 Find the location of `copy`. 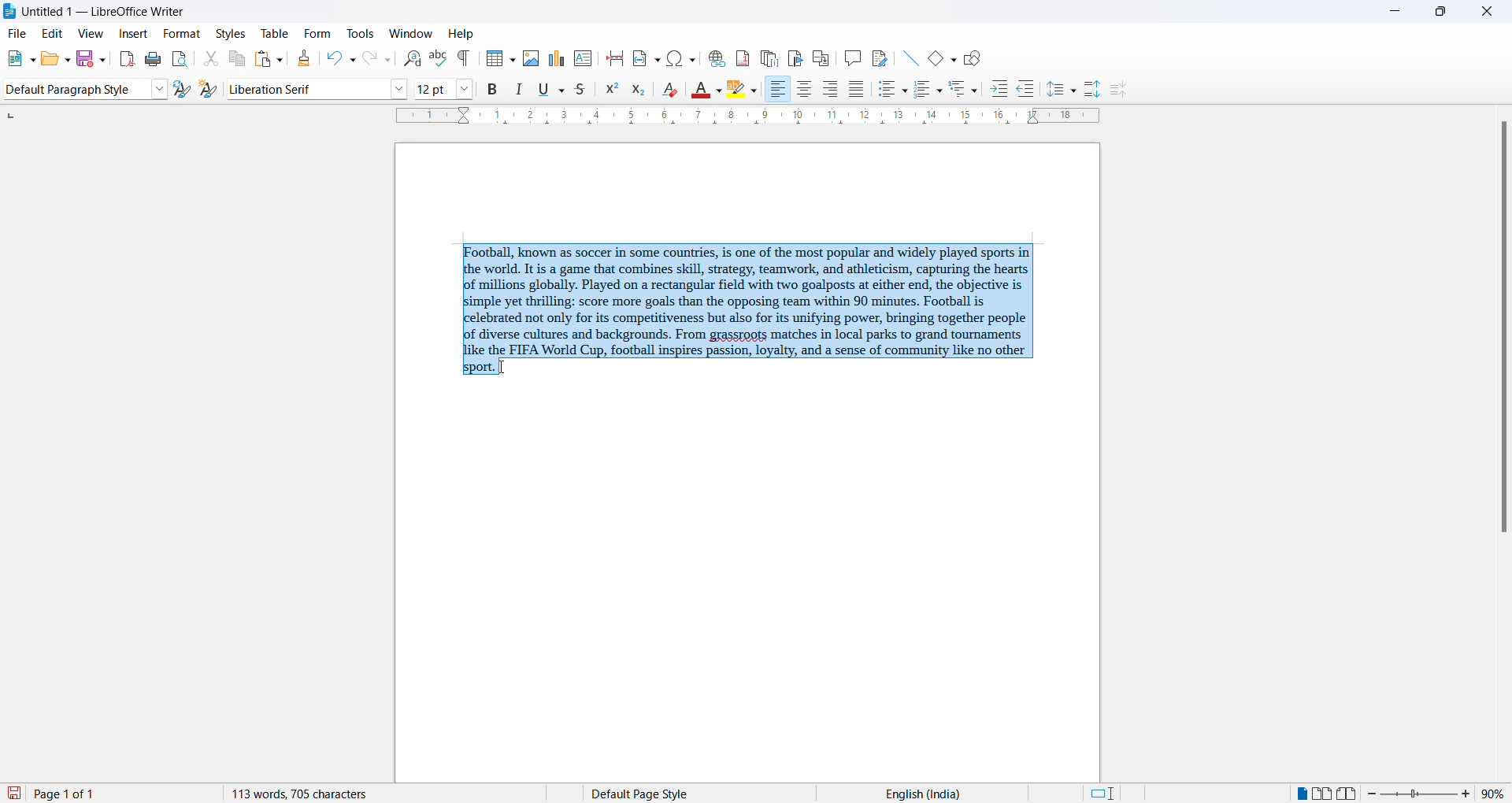

copy is located at coordinates (237, 59).